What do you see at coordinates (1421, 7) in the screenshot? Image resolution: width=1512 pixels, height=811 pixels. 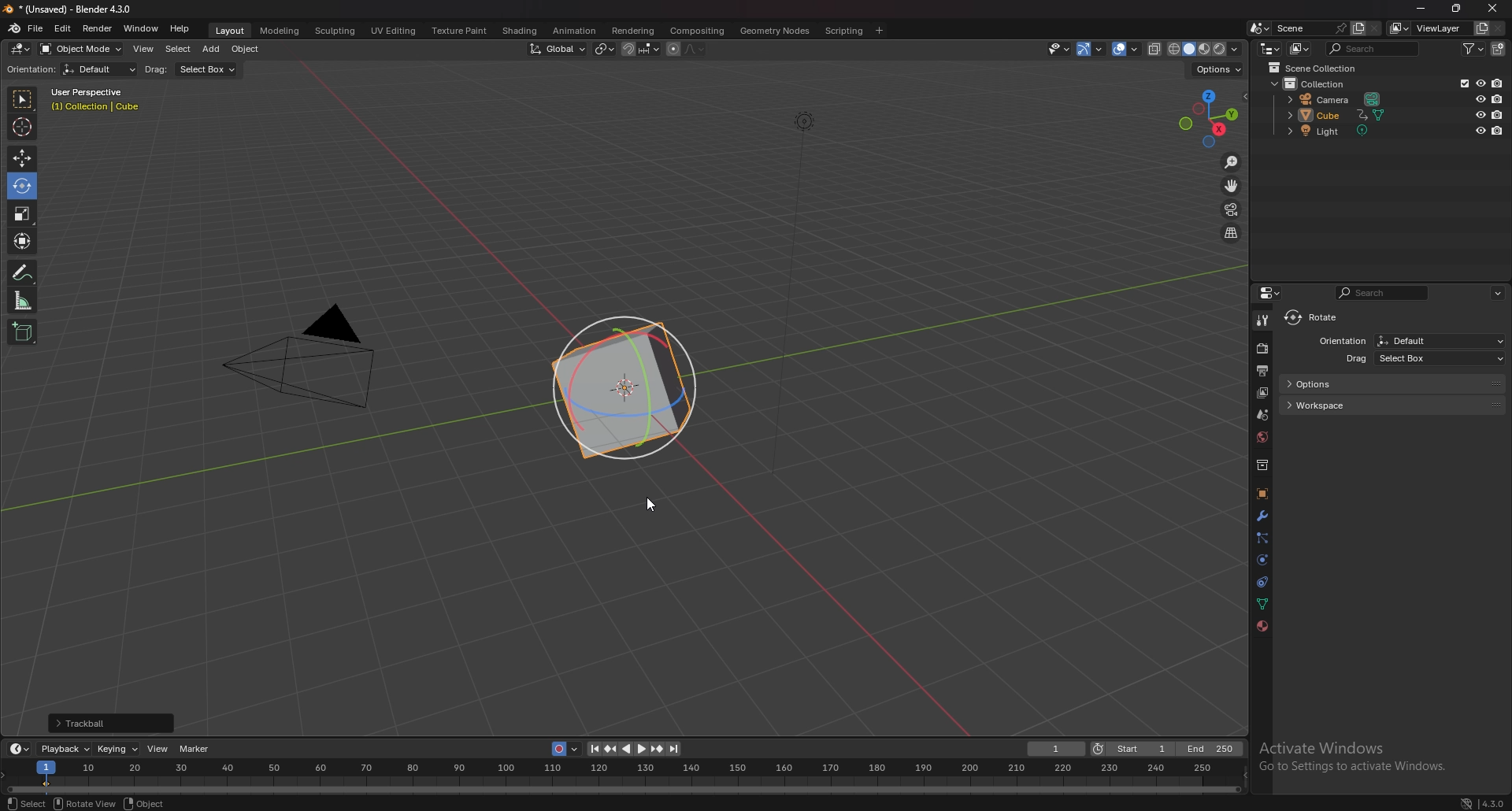 I see `minimize` at bounding box center [1421, 7].